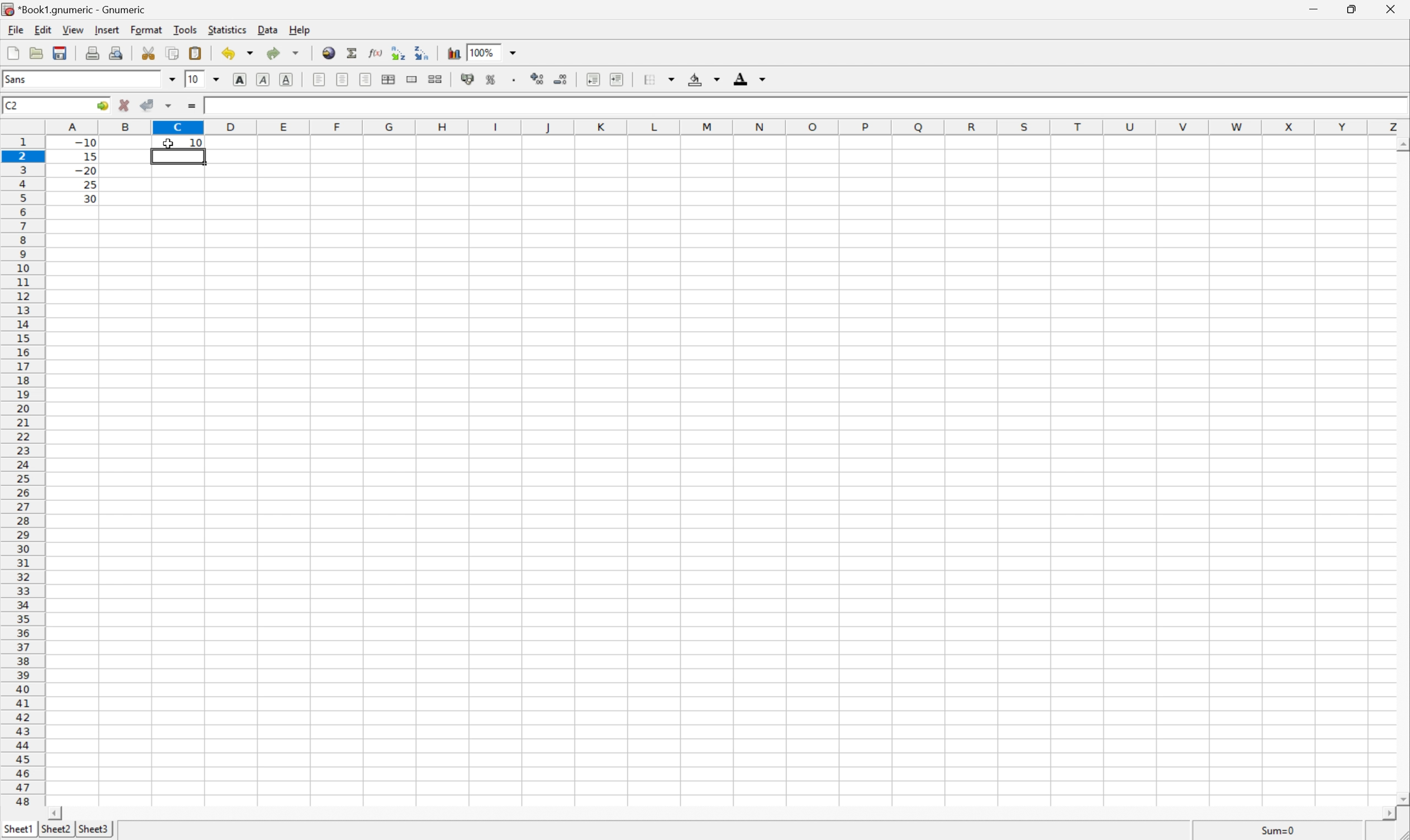  Describe the element at coordinates (518, 82) in the screenshot. I see `Set the format of the selected cells to include a thousands separator` at that location.